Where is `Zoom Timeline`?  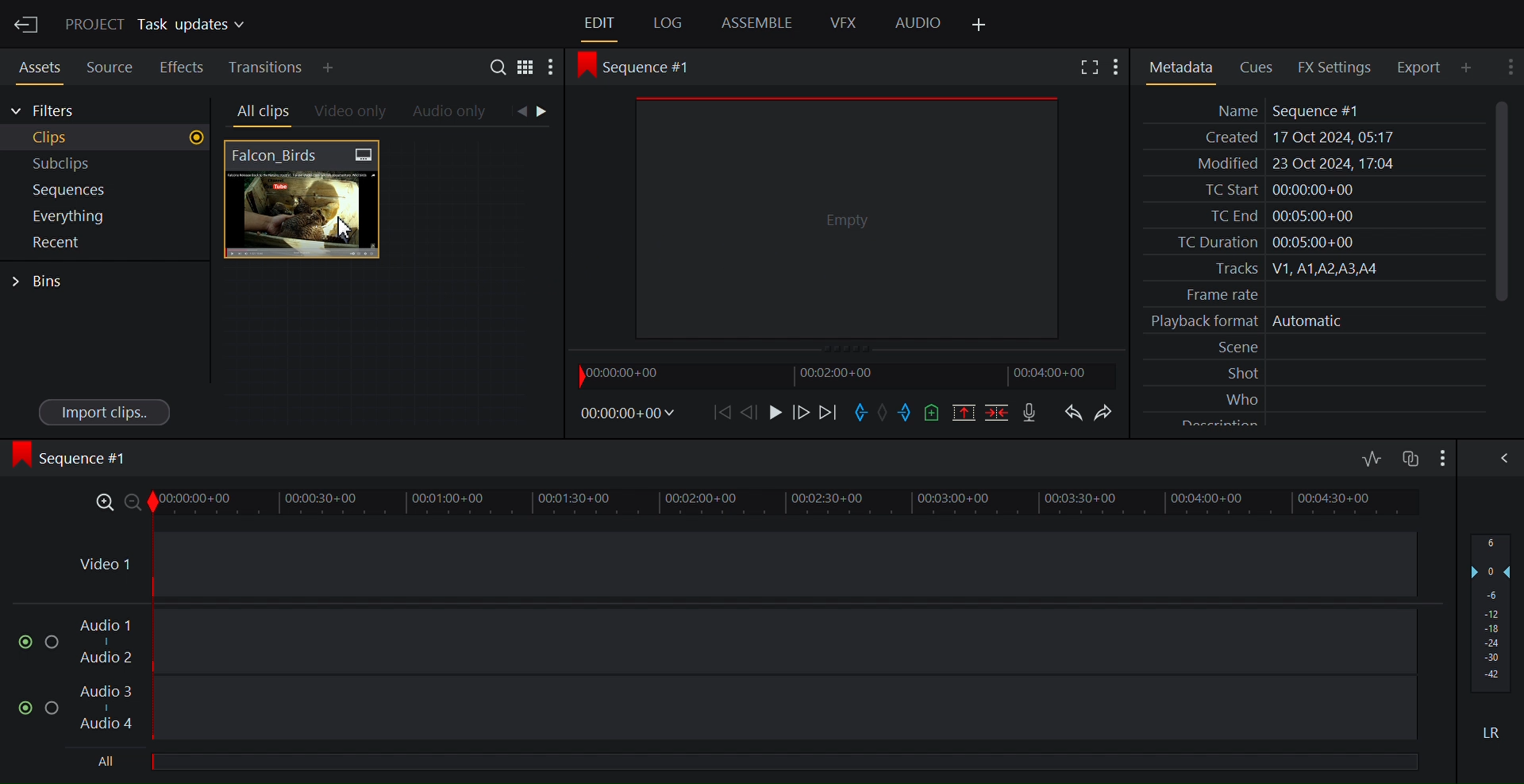
Zoom Timeline is located at coordinates (749, 505).